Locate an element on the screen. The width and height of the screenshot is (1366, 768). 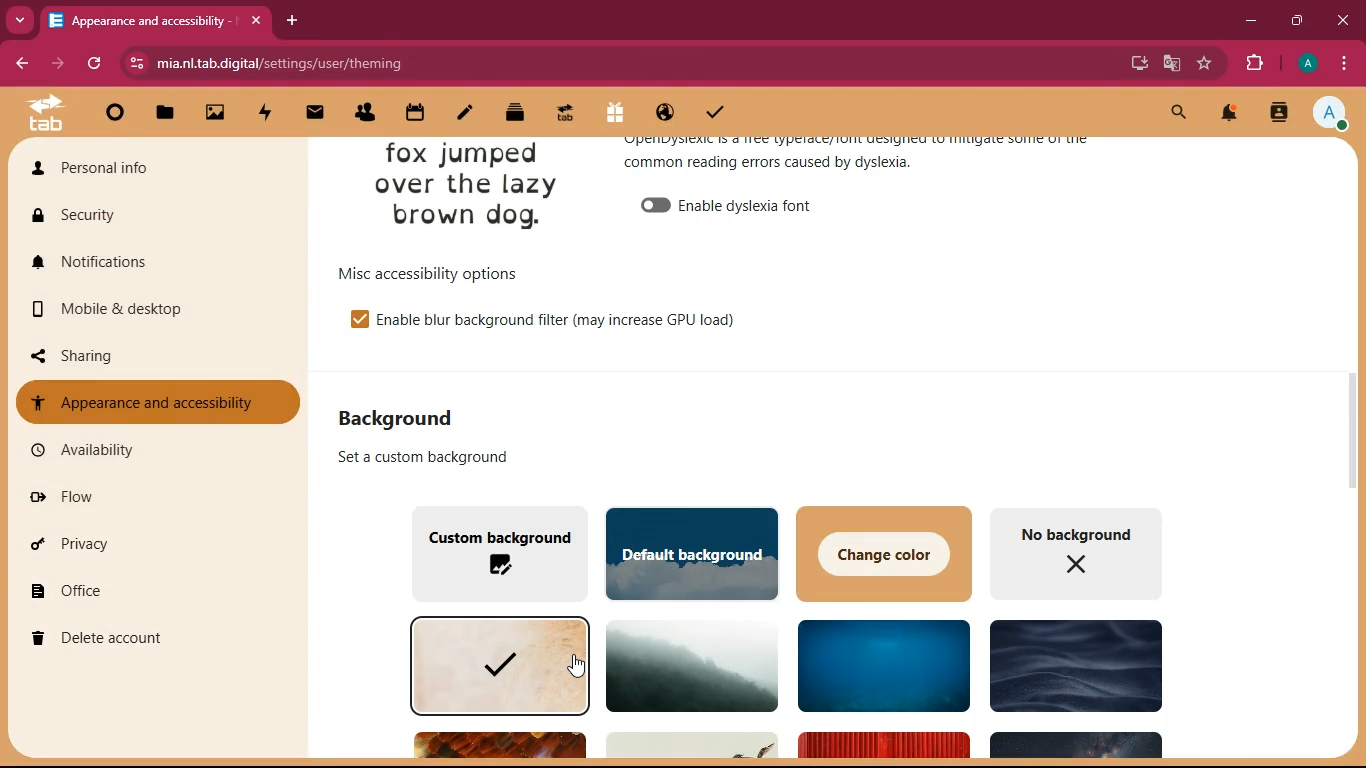
home is located at coordinates (115, 114).